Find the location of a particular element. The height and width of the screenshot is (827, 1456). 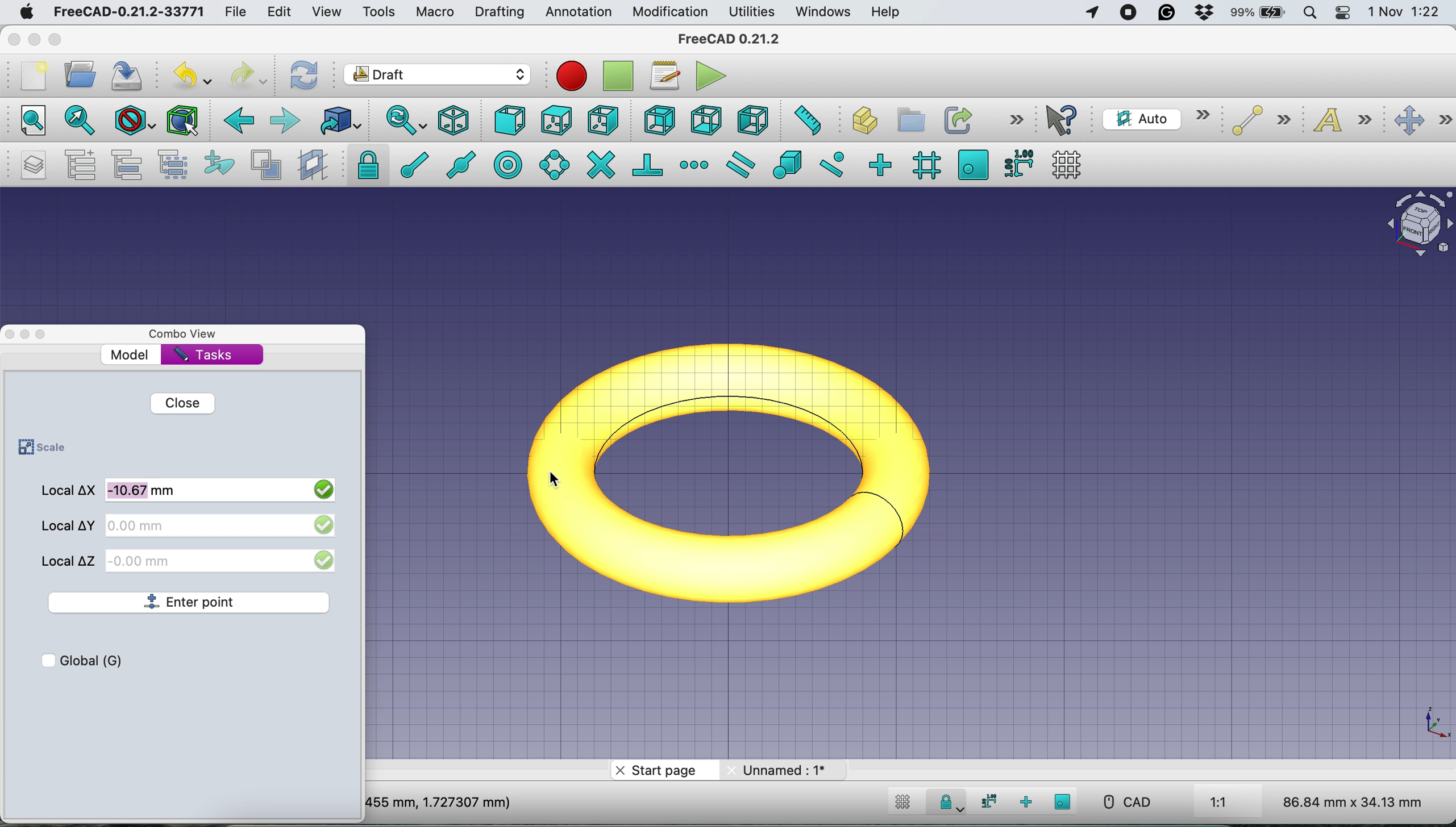

Macro recording is located at coordinates (571, 76).